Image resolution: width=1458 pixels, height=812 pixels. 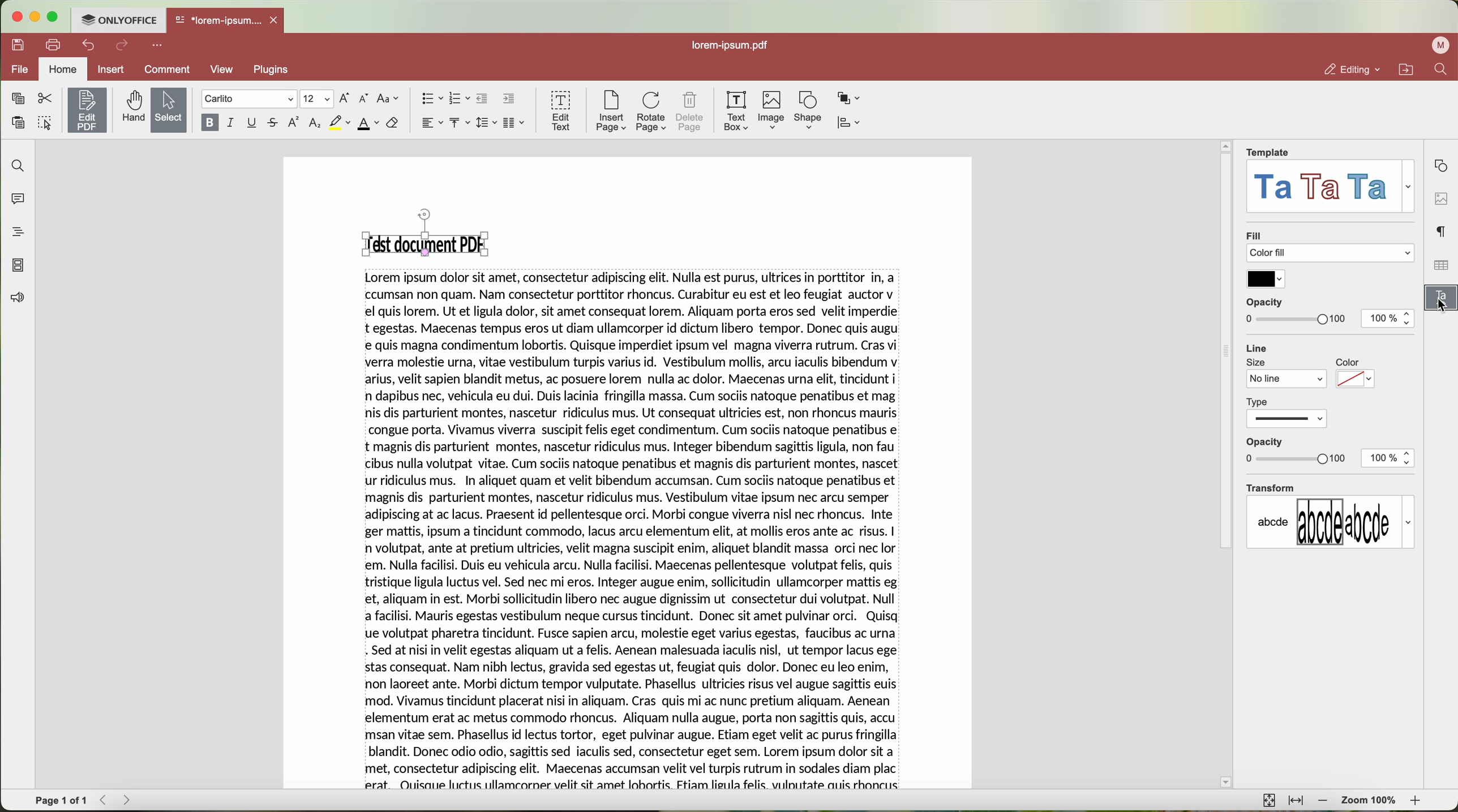 I want to click on size font, so click(x=315, y=99).